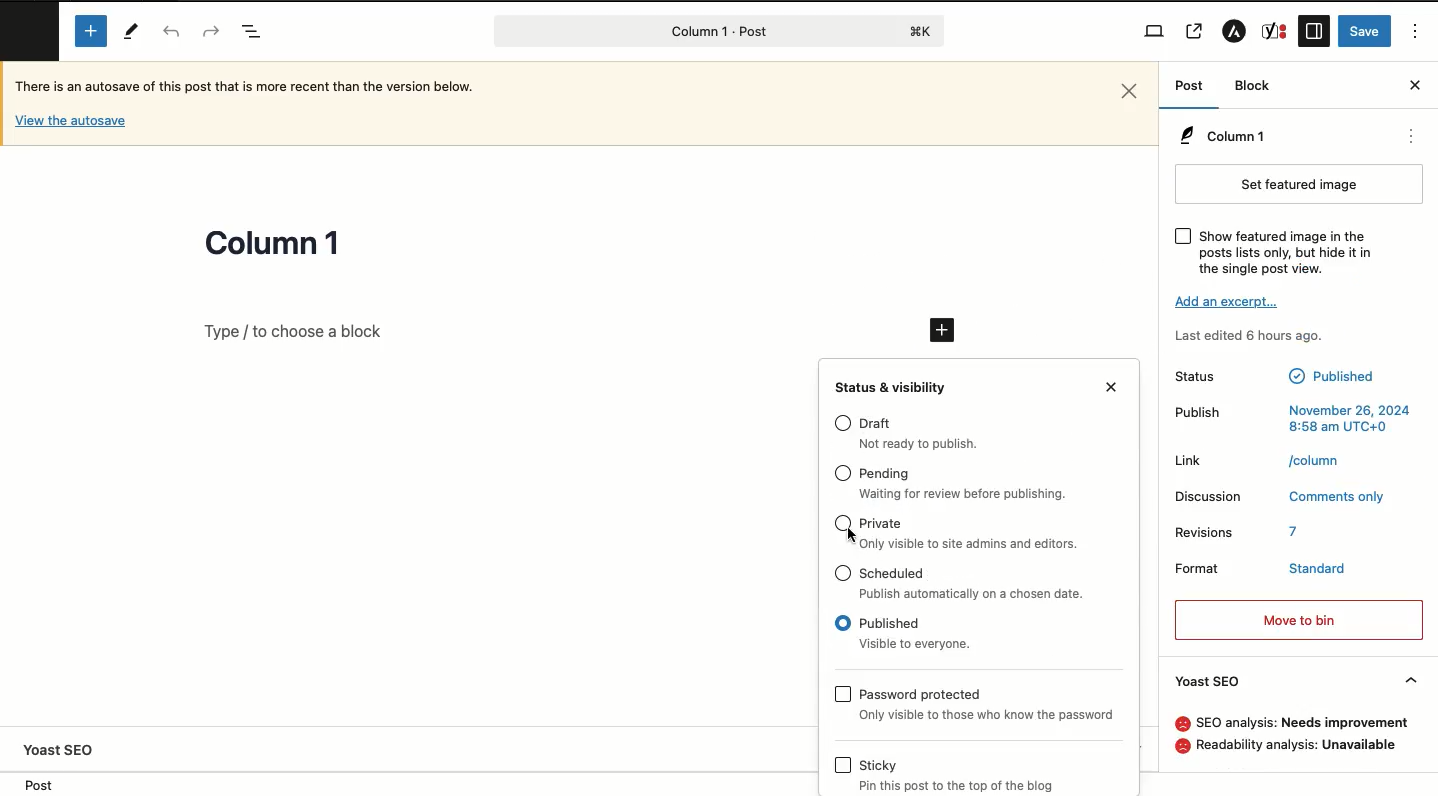 The width and height of the screenshot is (1438, 796). What do you see at coordinates (684, 33) in the screenshot?
I see `name -Post` at bounding box center [684, 33].